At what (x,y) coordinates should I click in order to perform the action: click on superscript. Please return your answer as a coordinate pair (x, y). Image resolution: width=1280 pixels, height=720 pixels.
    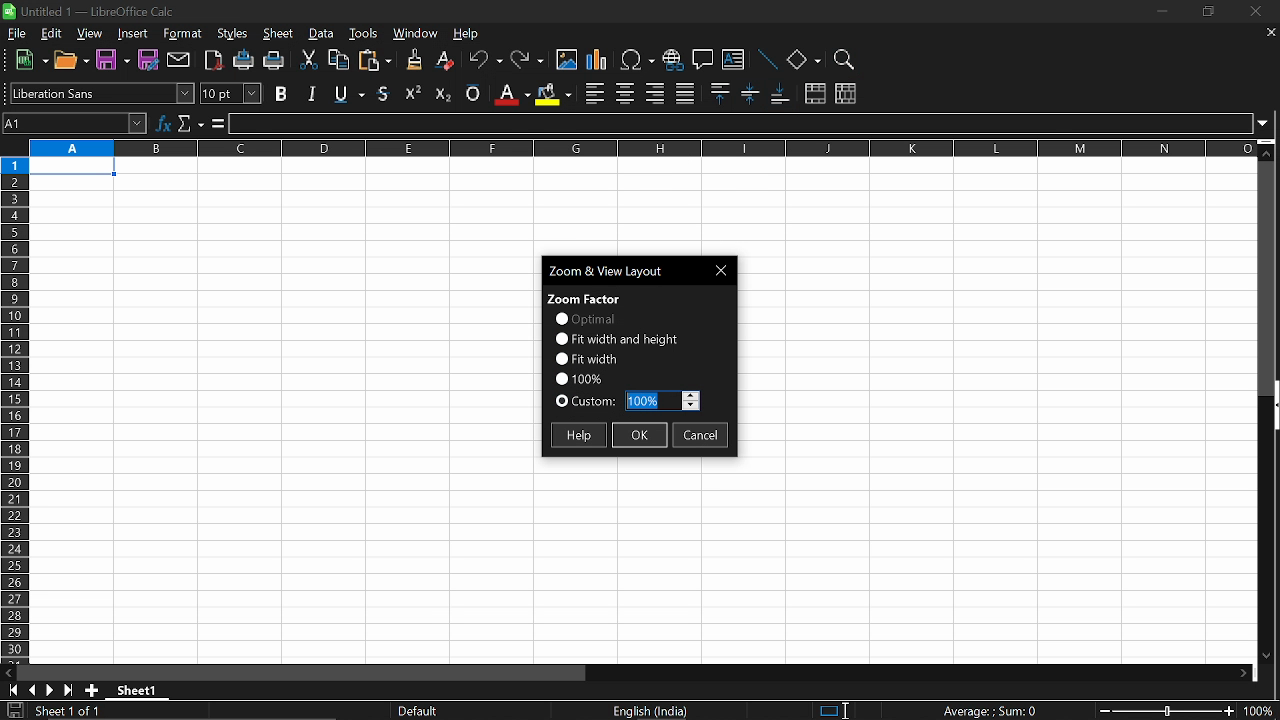
    Looking at the image, I should click on (414, 92).